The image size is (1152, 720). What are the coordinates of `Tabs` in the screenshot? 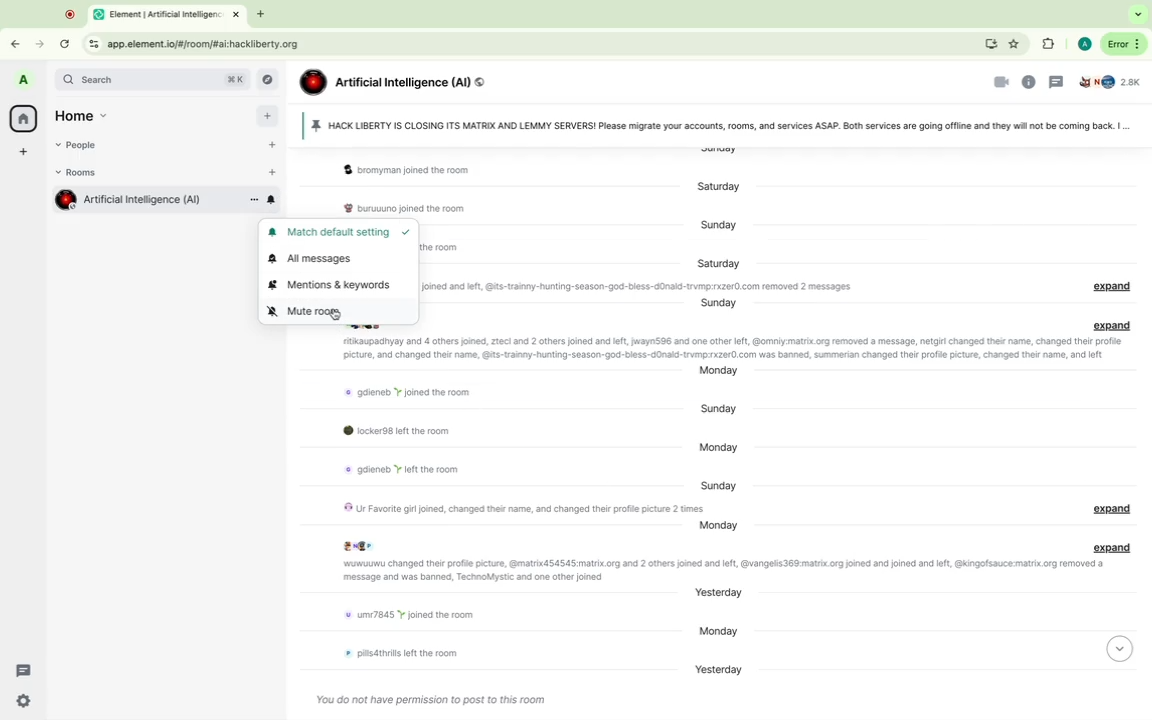 It's located at (154, 15).